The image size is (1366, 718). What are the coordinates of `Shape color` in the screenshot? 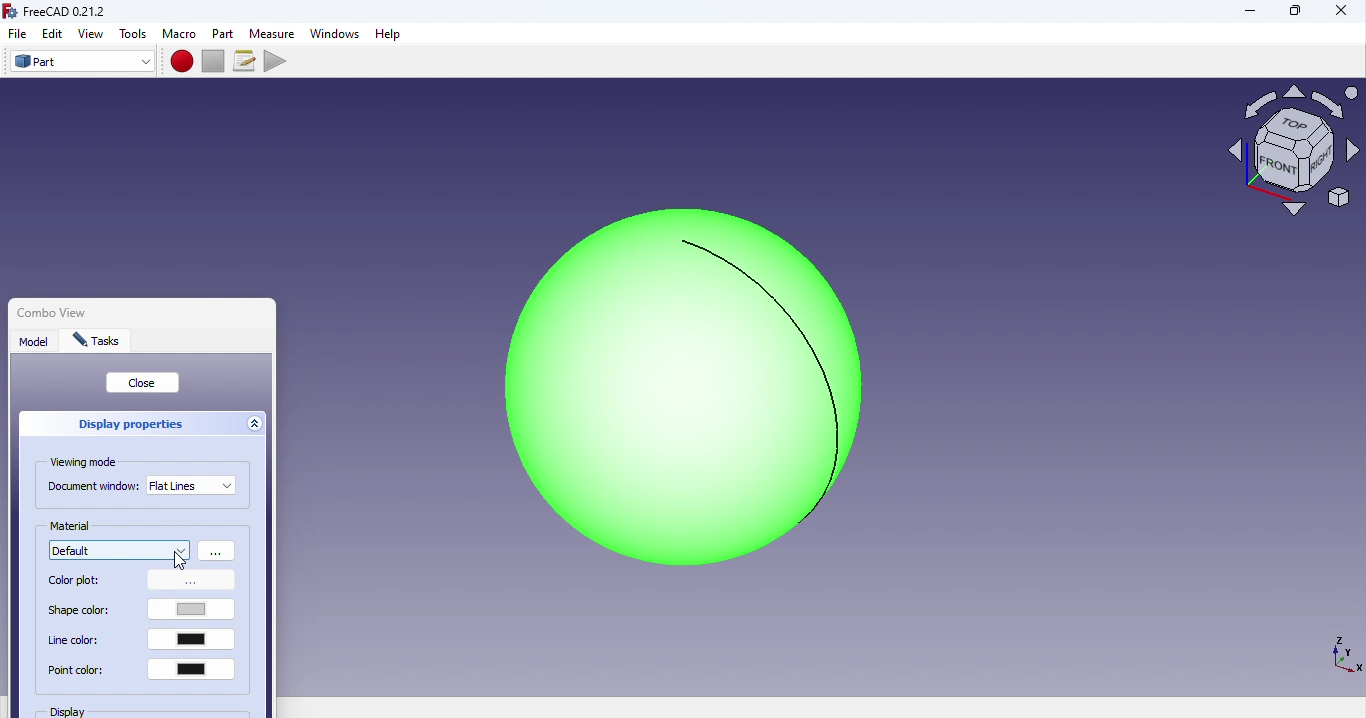 It's located at (145, 611).